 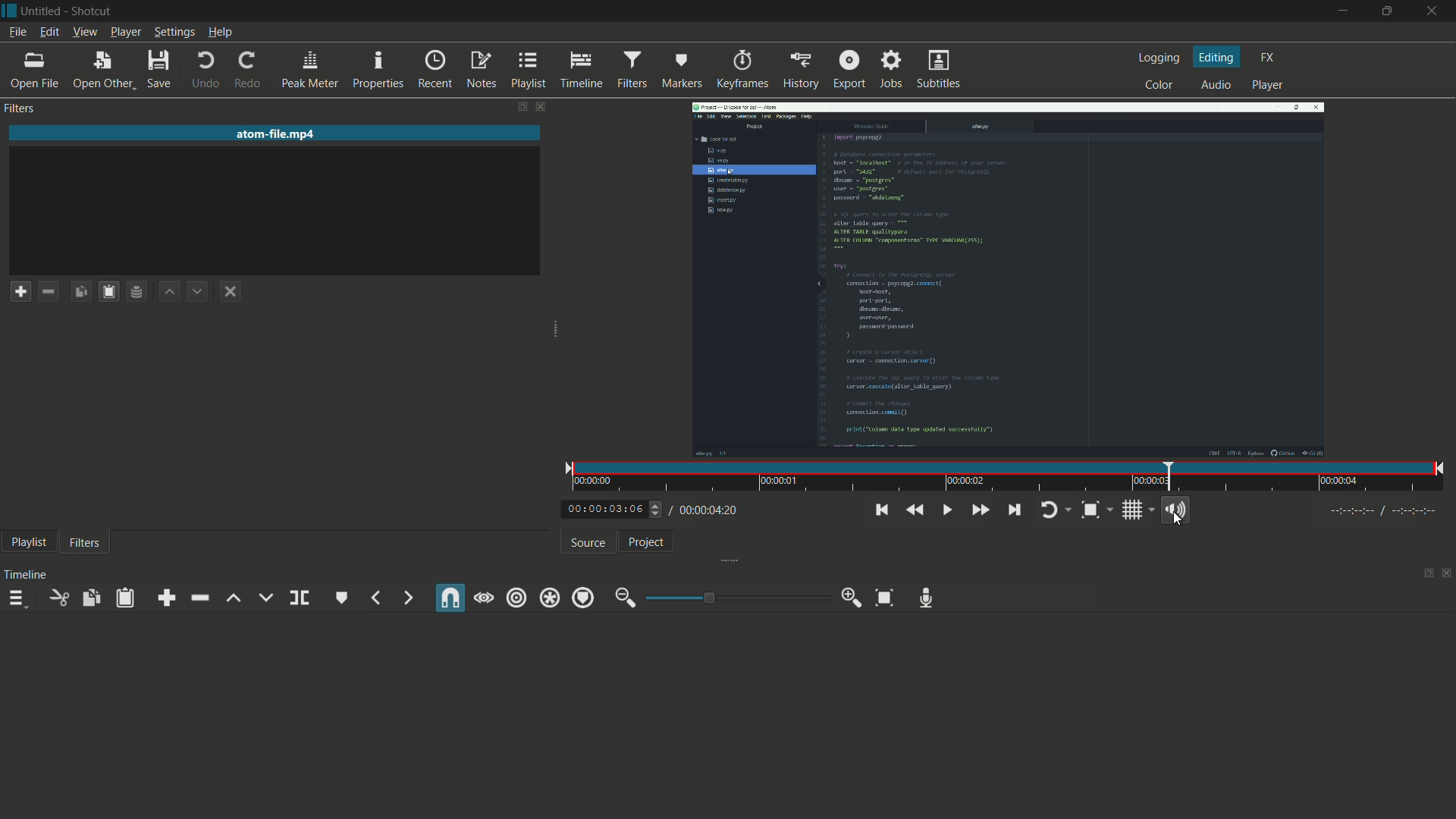 I want to click on close filter pane, so click(x=540, y=108).